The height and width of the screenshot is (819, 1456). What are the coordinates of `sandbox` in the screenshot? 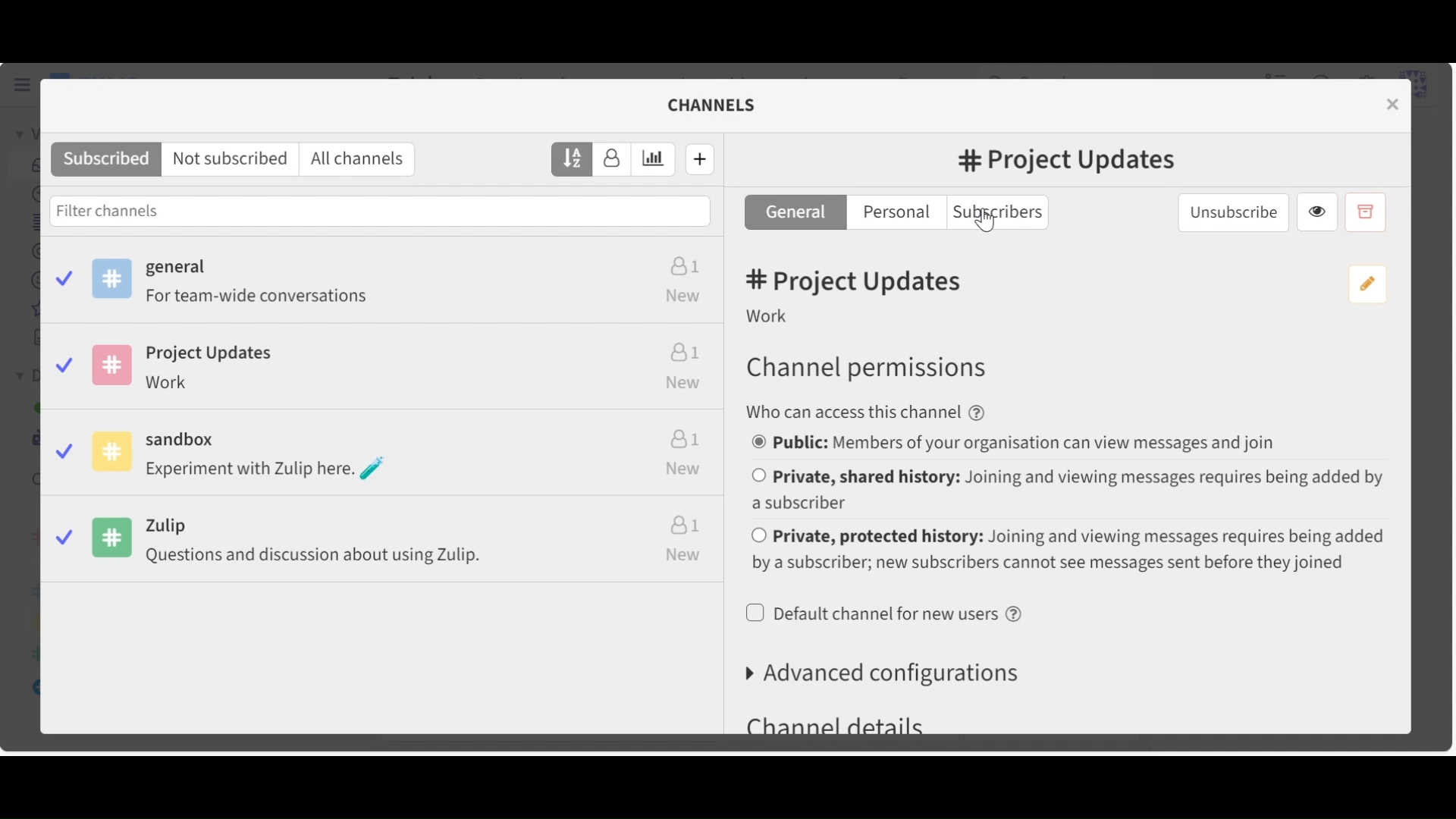 It's located at (378, 452).